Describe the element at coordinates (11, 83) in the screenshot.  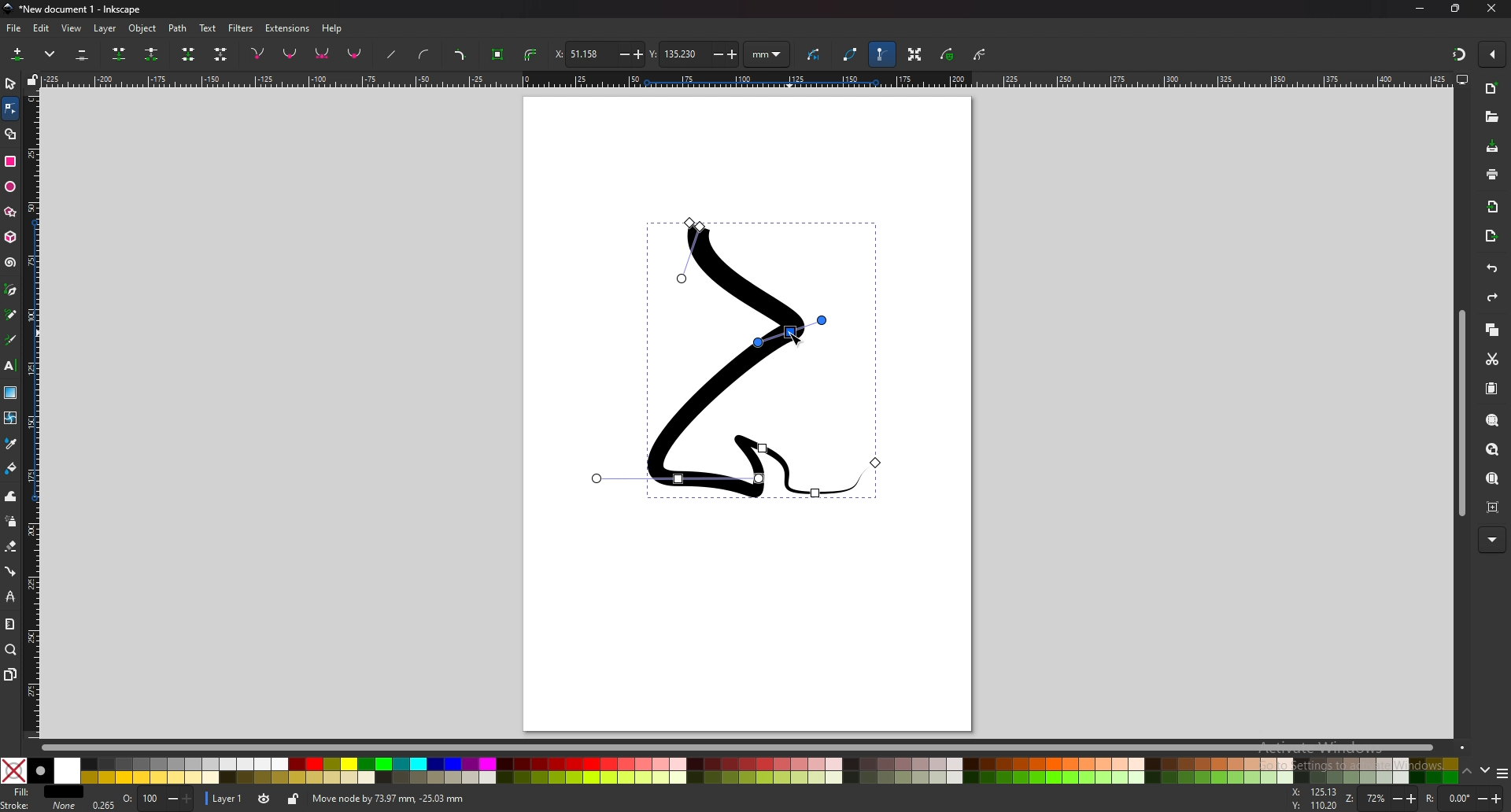
I see `selector` at that location.